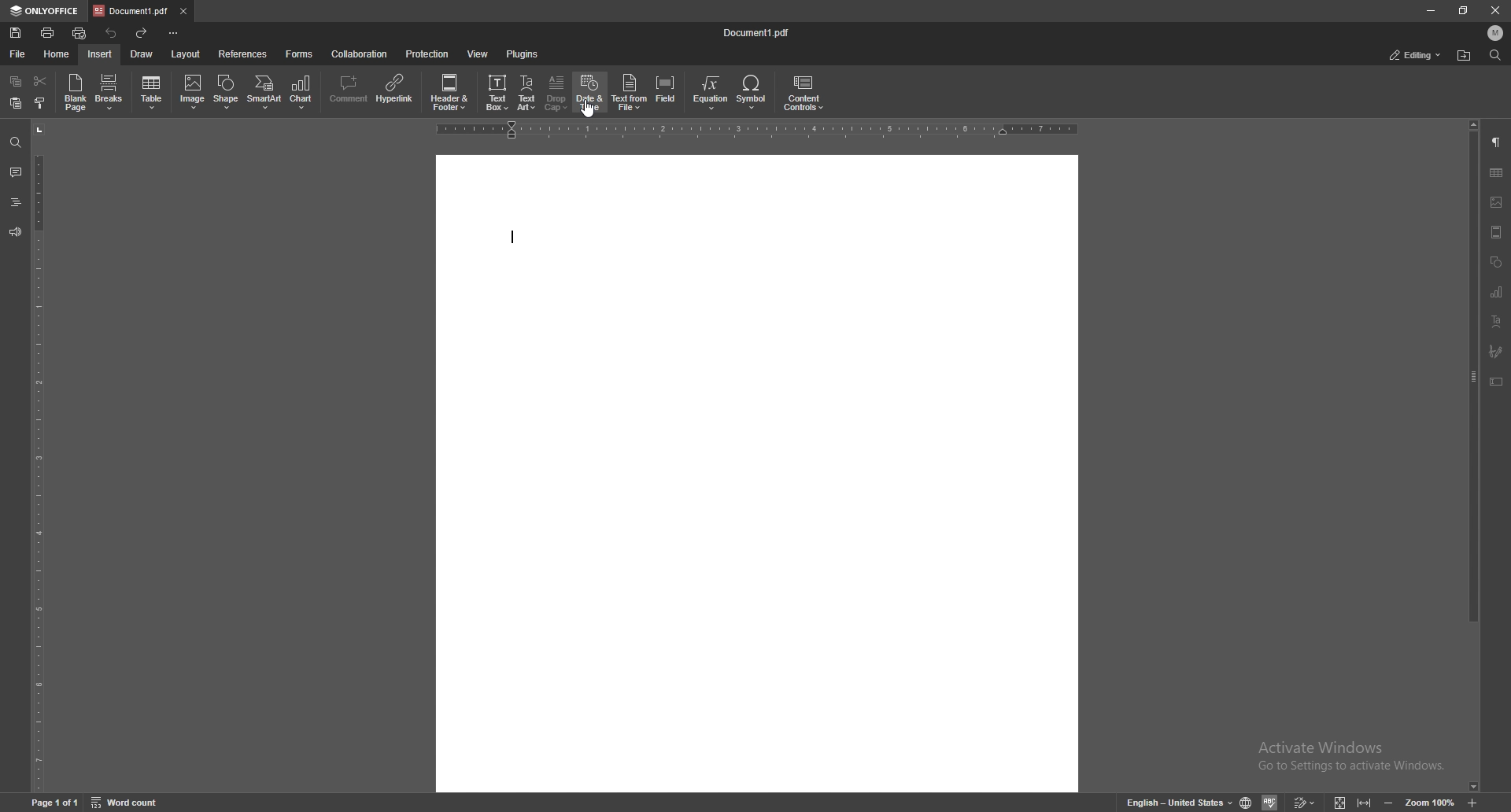 The width and height of the screenshot is (1511, 812). Describe the element at coordinates (242, 54) in the screenshot. I see `references` at that location.